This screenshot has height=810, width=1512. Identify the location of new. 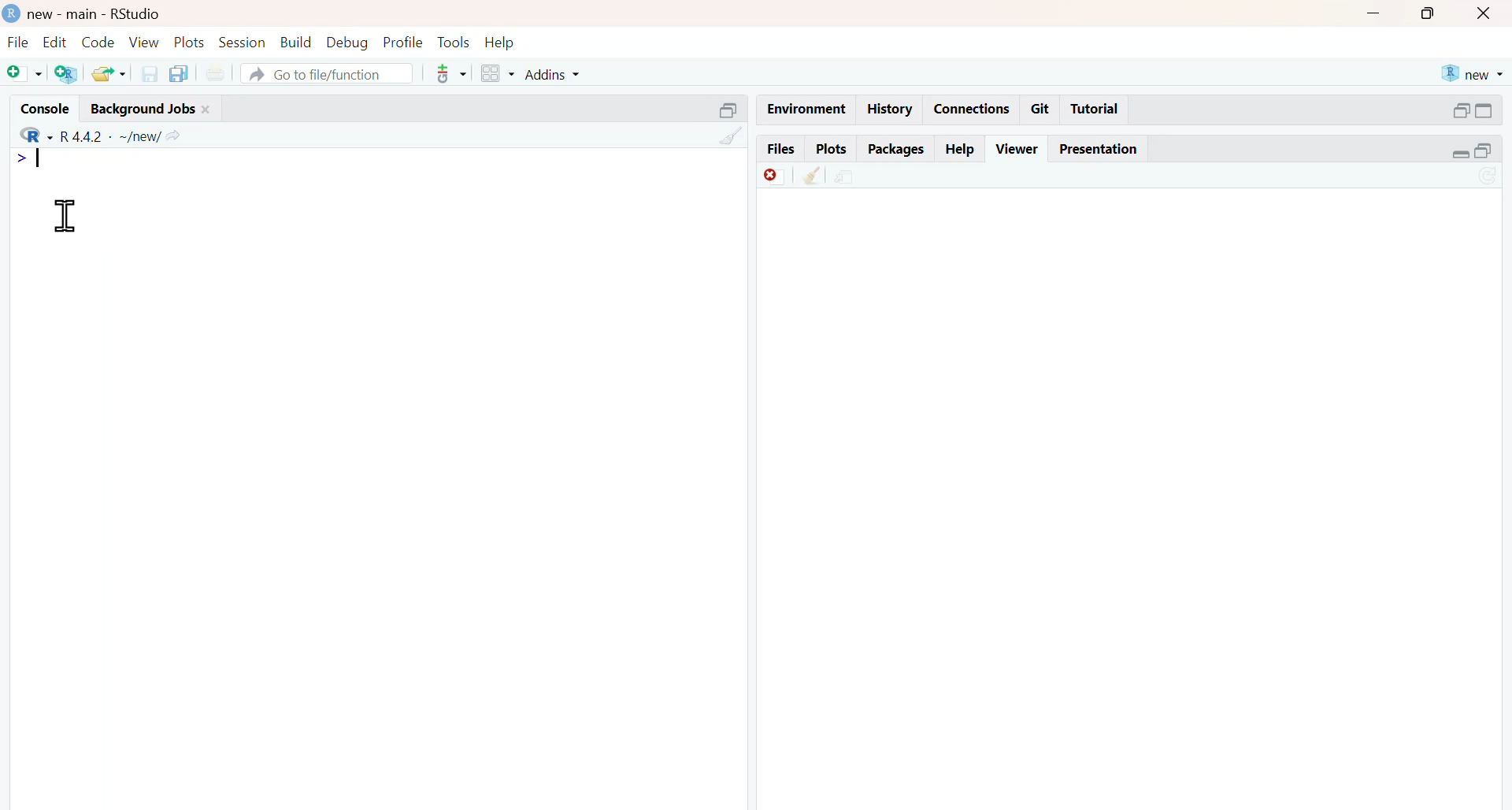
(1473, 73).